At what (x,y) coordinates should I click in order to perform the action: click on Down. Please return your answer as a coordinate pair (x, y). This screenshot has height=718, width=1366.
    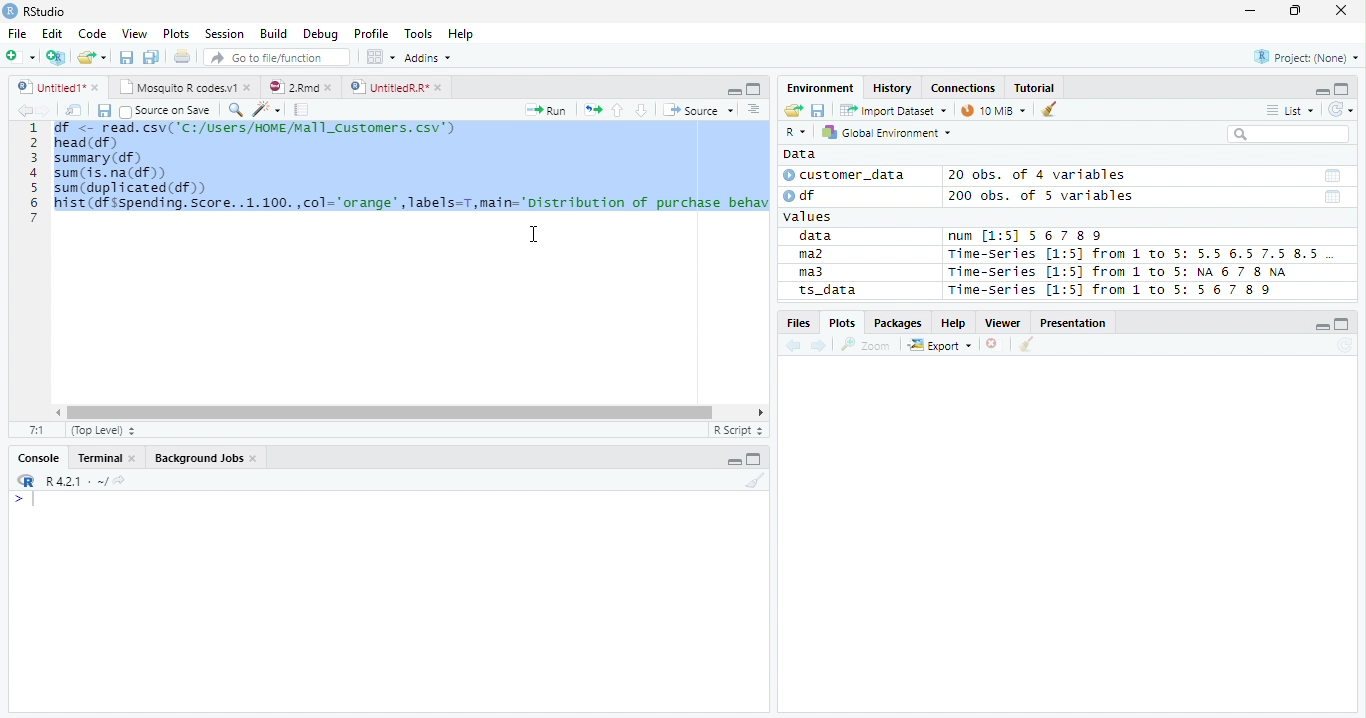
    Looking at the image, I should click on (641, 111).